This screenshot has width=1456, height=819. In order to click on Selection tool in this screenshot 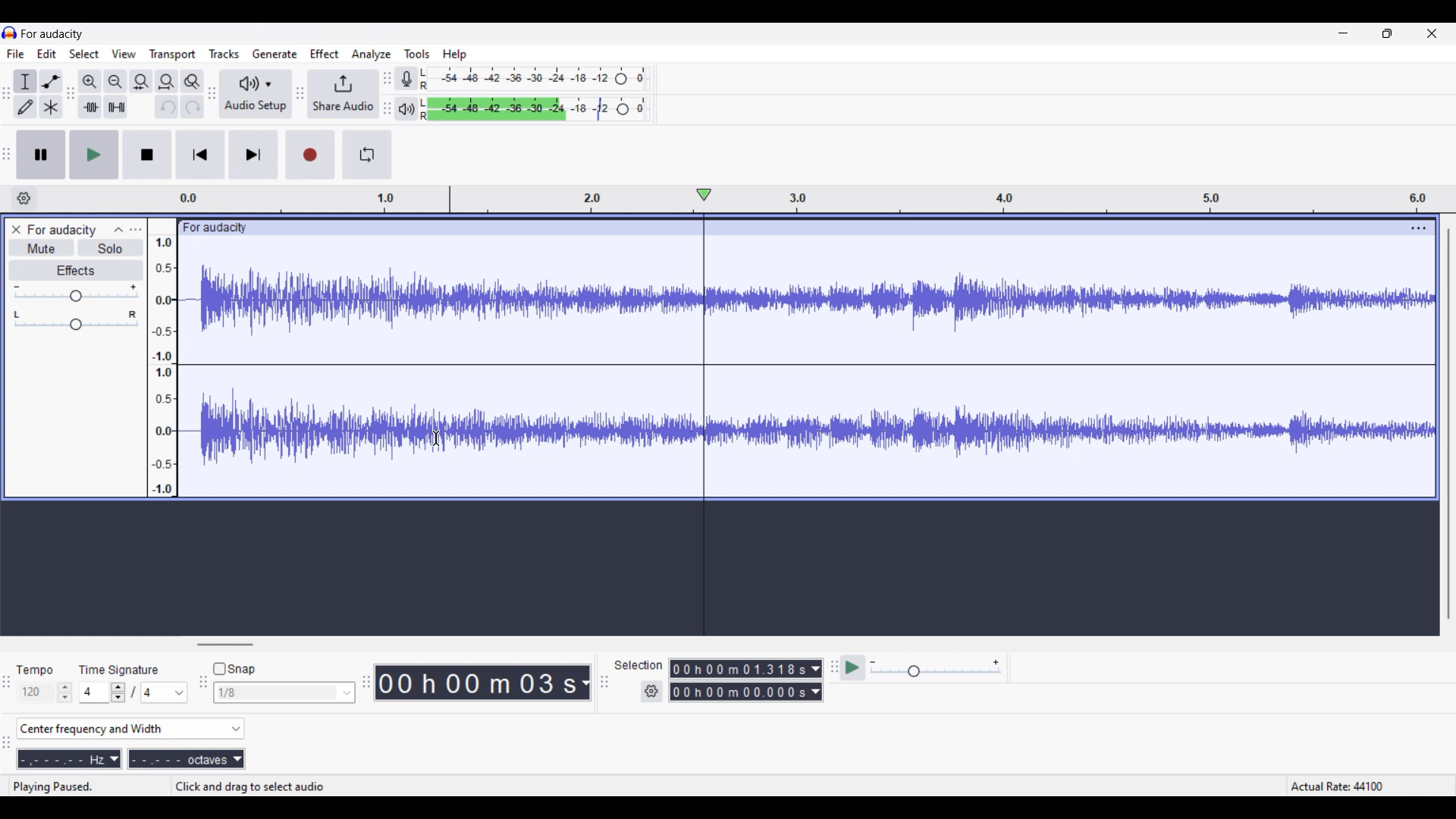, I will do `click(25, 81)`.